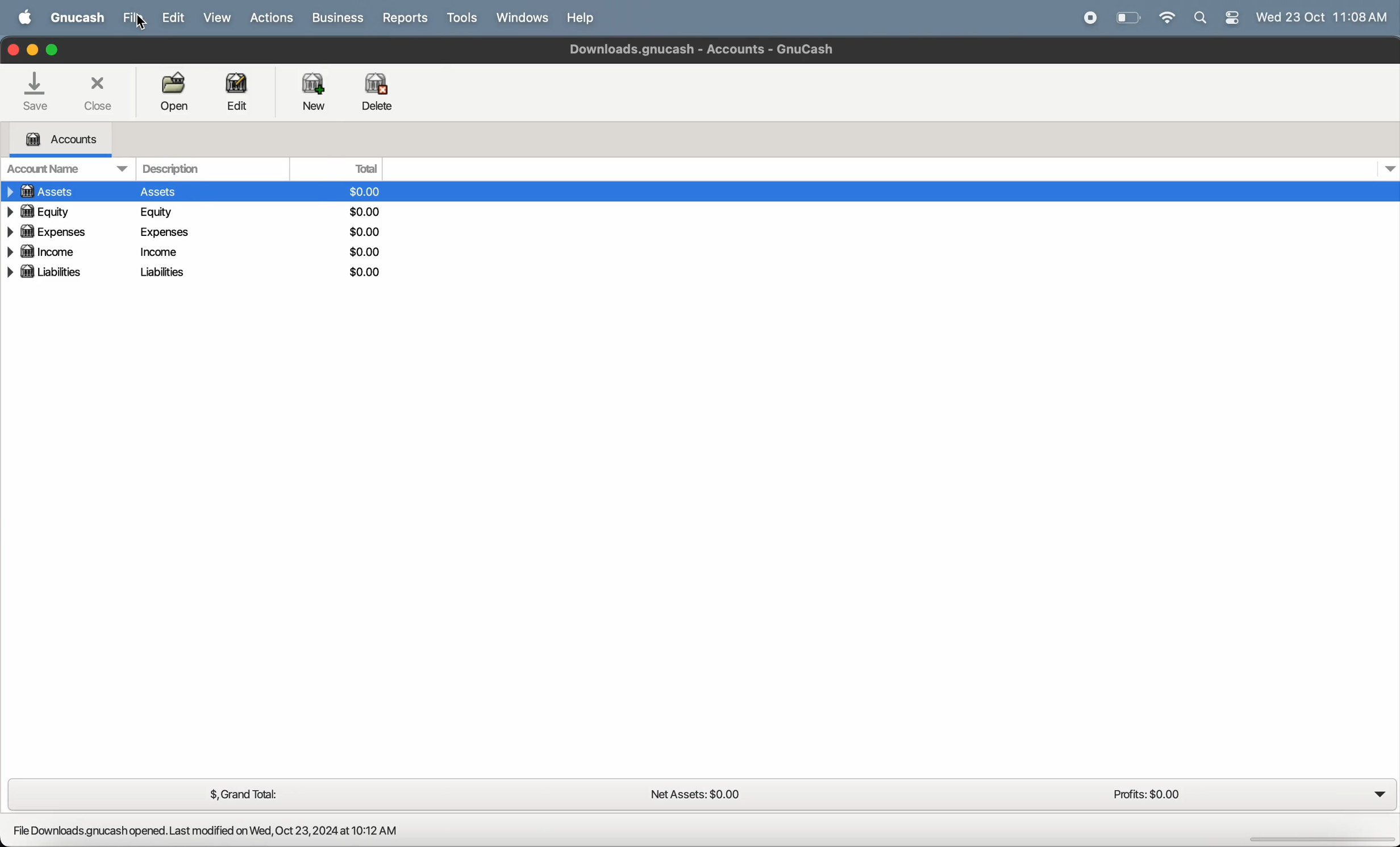 This screenshot has width=1400, height=847. Describe the element at coordinates (169, 92) in the screenshot. I see `open` at that location.